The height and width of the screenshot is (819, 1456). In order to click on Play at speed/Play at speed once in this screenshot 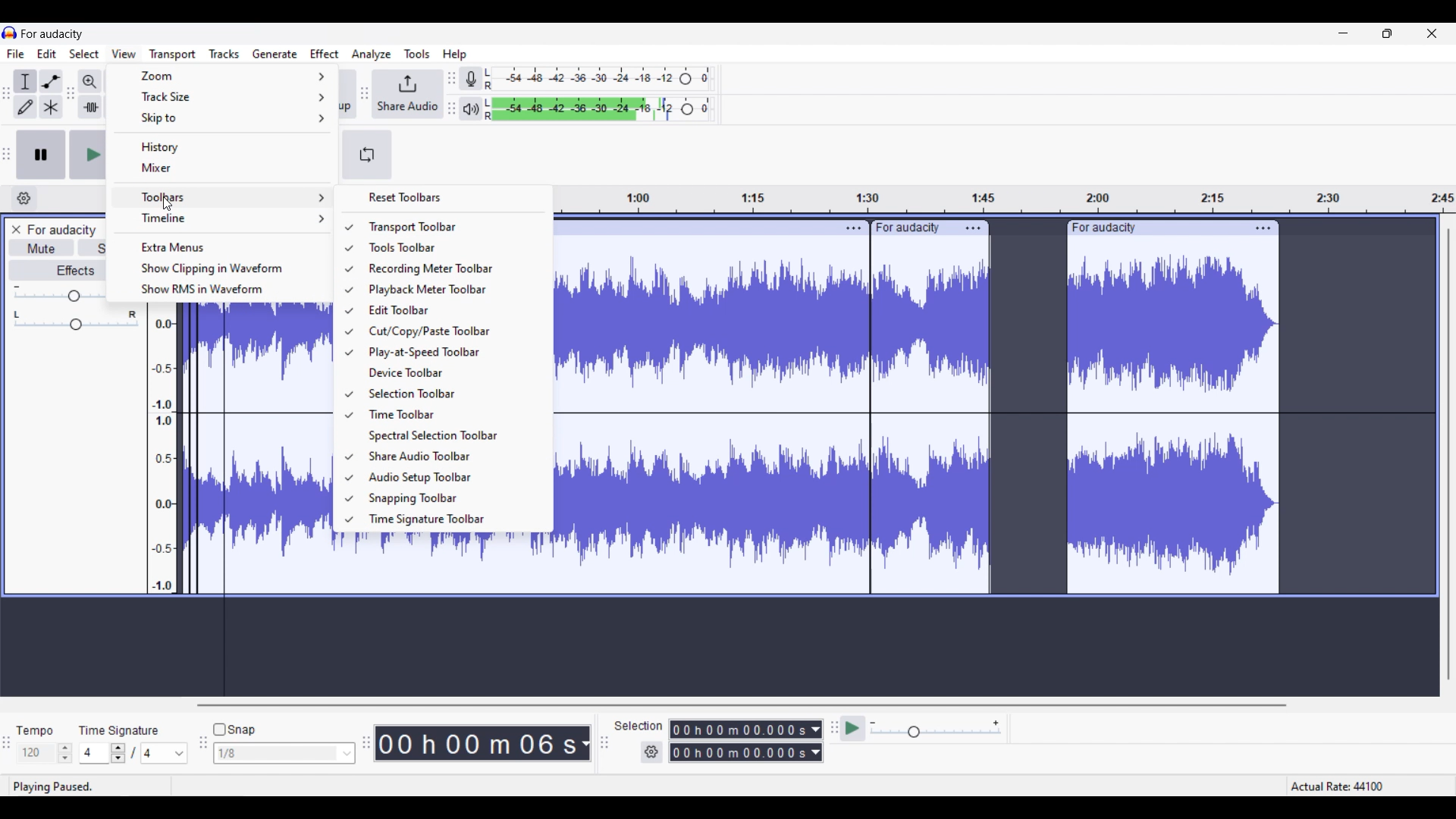, I will do `click(853, 728)`.